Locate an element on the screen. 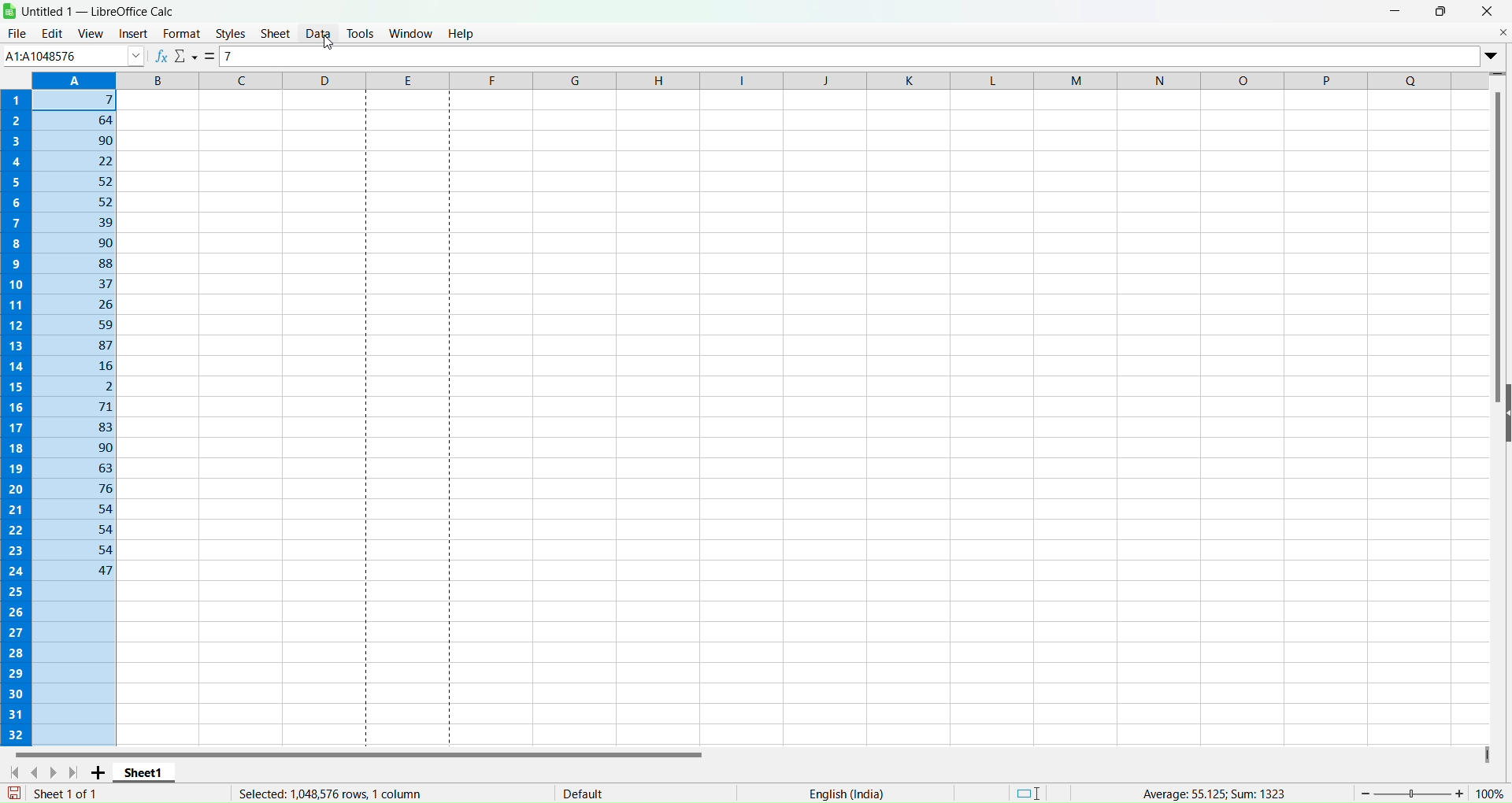 The width and height of the screenshot is (1512, 803). Column Labels is located at coordinates (758, 78).